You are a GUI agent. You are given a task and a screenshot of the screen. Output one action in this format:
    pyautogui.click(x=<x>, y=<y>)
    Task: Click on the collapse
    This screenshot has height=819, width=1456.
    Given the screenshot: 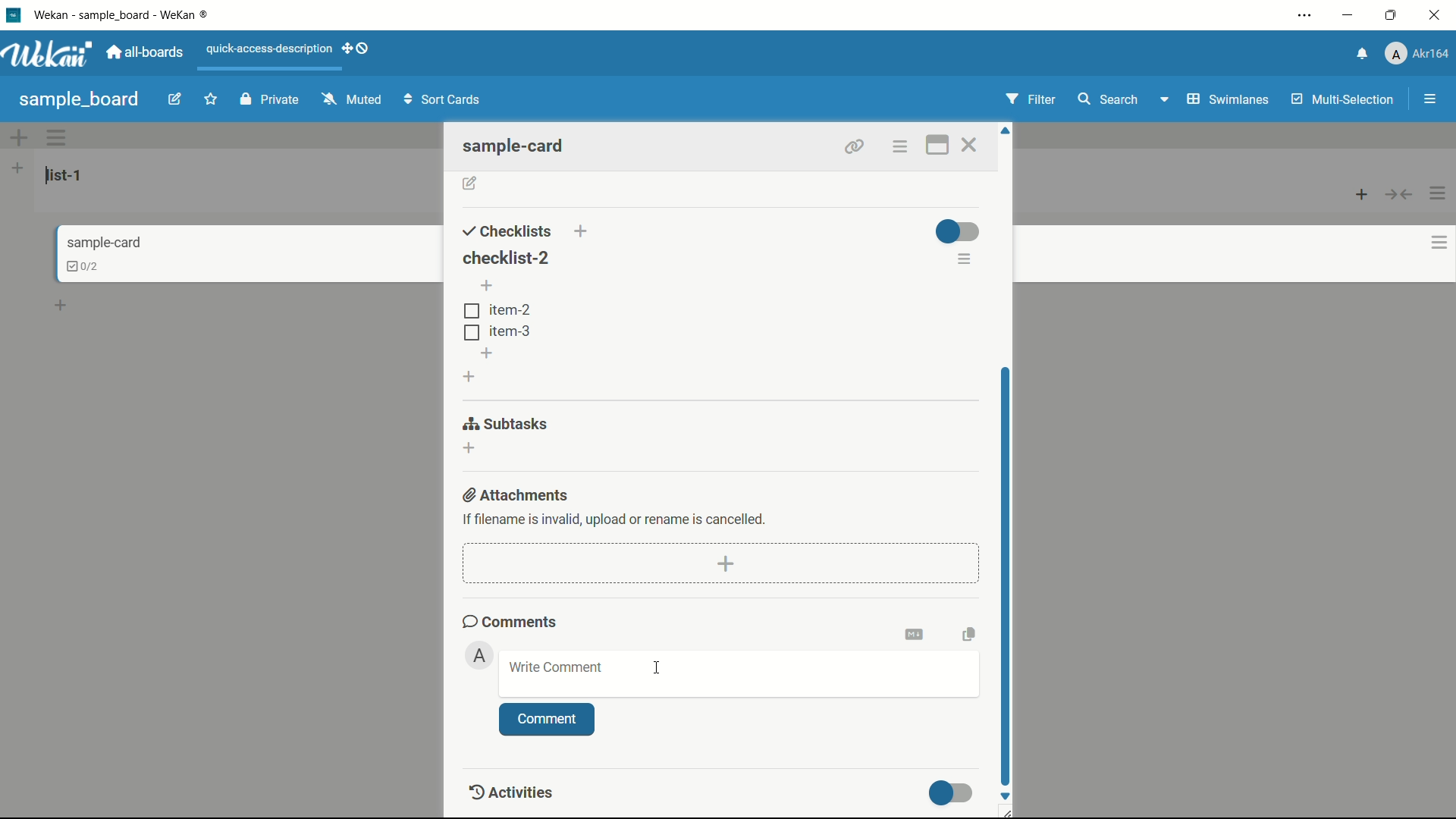 What is the action you would take?
    pyautogui.click(x=1400, y=196)
    